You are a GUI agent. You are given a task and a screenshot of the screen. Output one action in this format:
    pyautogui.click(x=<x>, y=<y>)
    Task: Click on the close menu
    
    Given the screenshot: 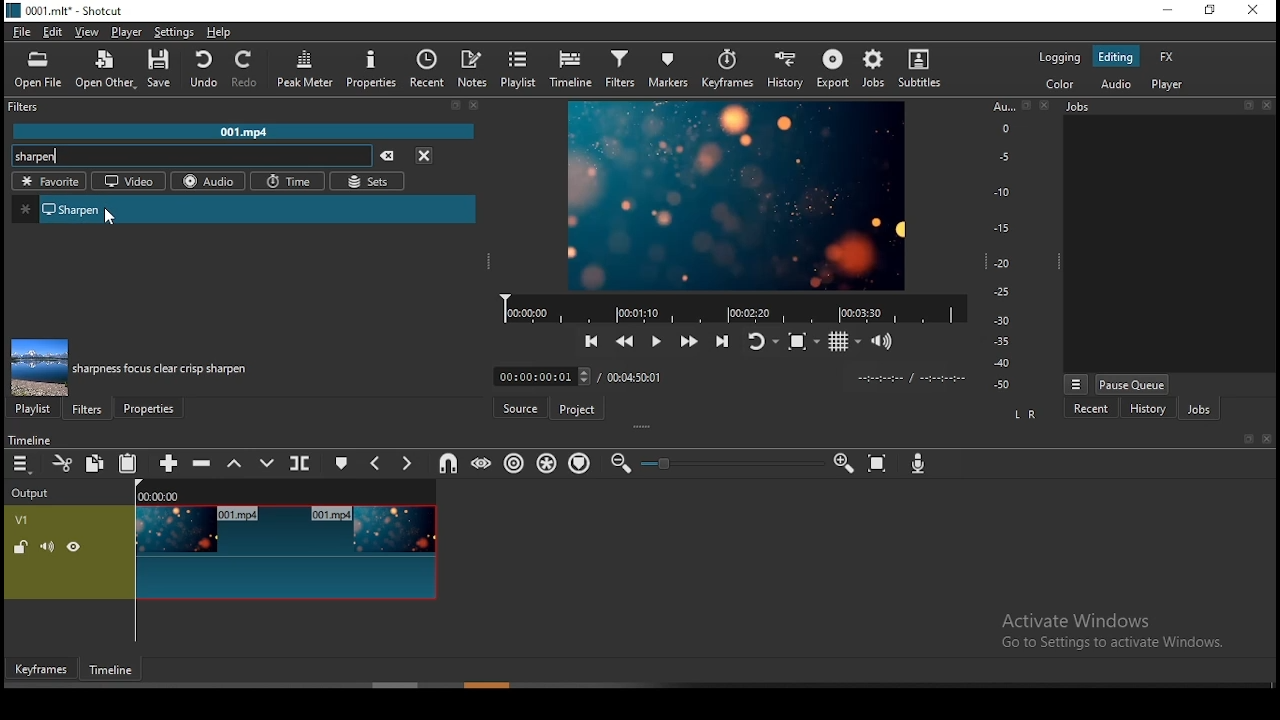 What is the action you would take?
    pyautogui.click(x=427, y=155)
    